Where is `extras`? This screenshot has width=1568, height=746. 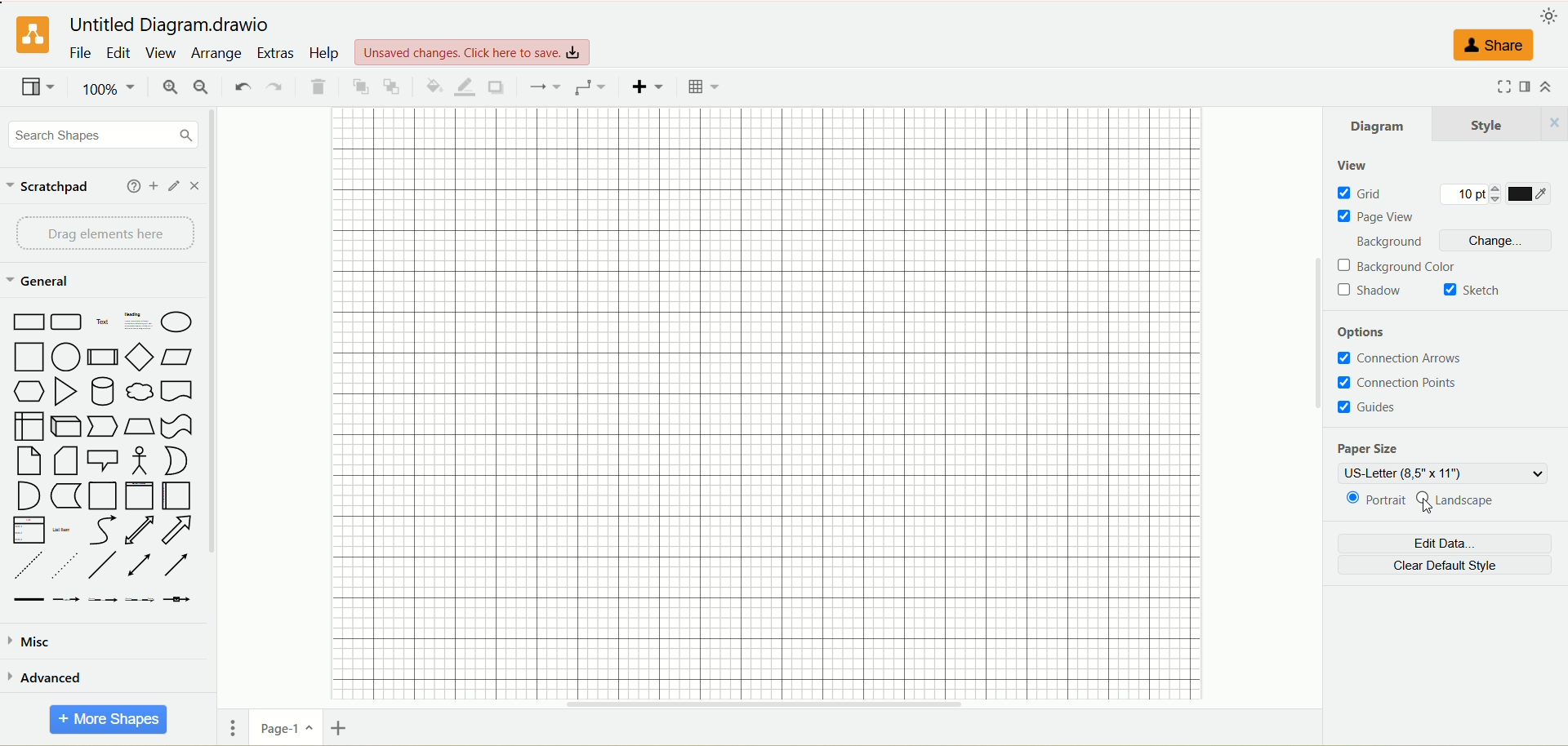 extras is located at coordinates (276, 51).